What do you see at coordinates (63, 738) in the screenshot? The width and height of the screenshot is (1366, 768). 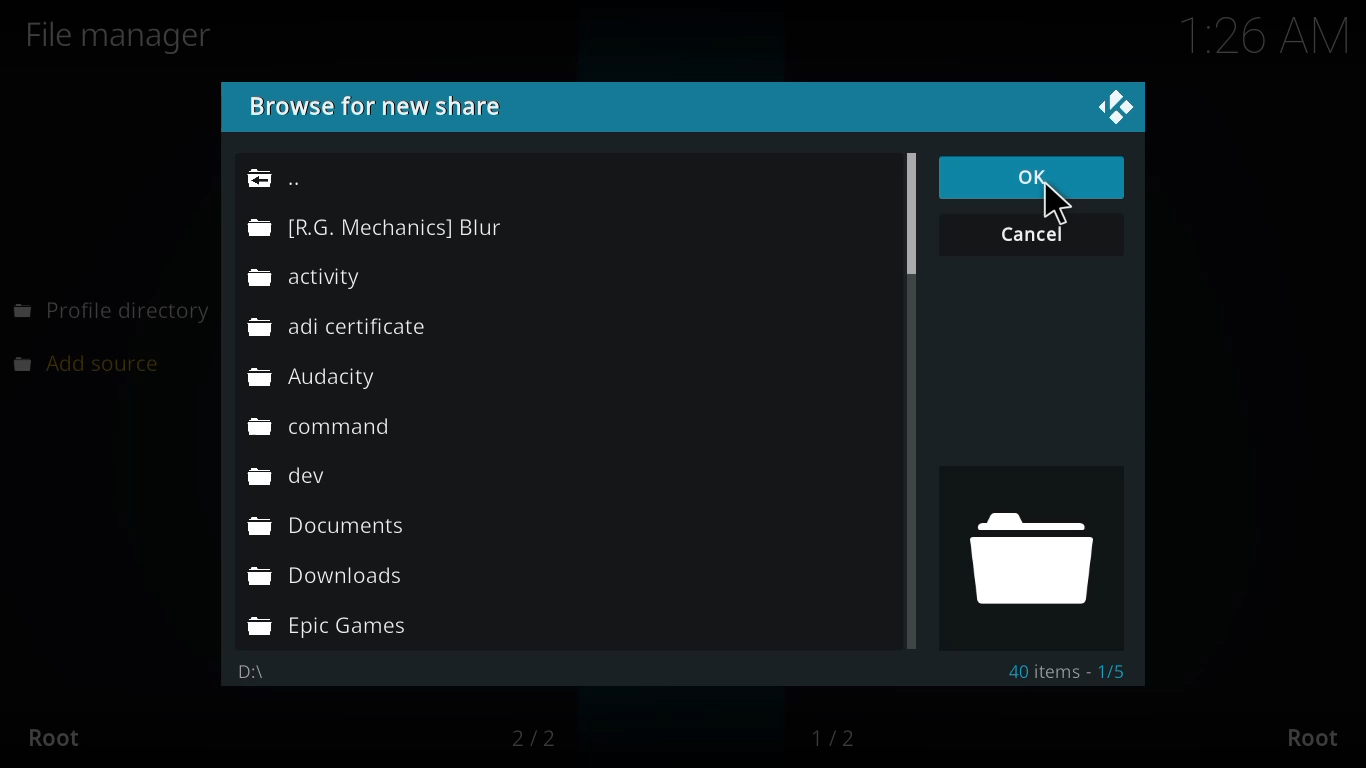 I see `root` at bounding box center [63, 738].